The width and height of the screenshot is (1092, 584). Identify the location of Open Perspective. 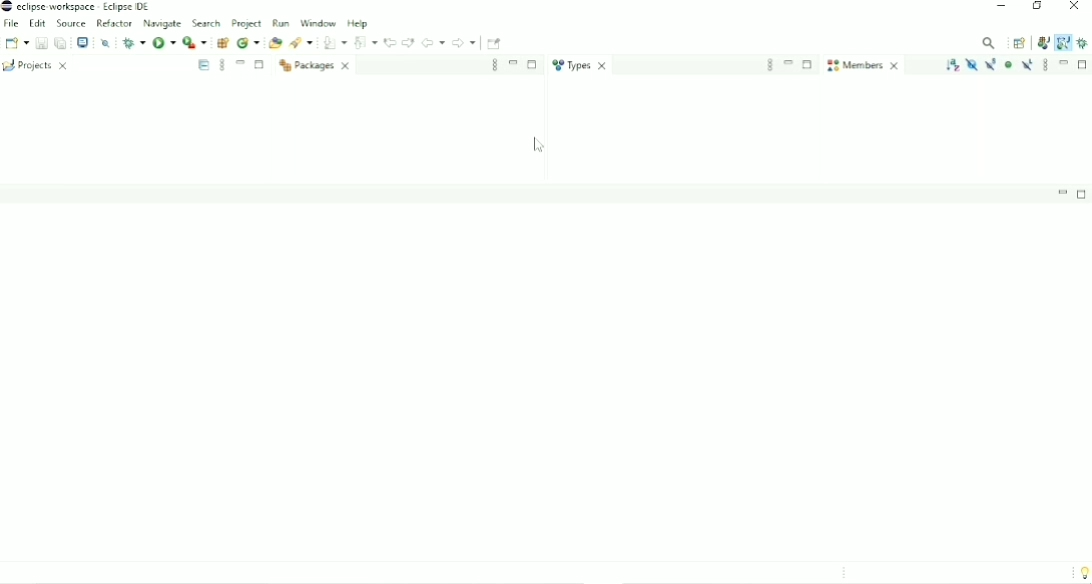
(1020, 43).